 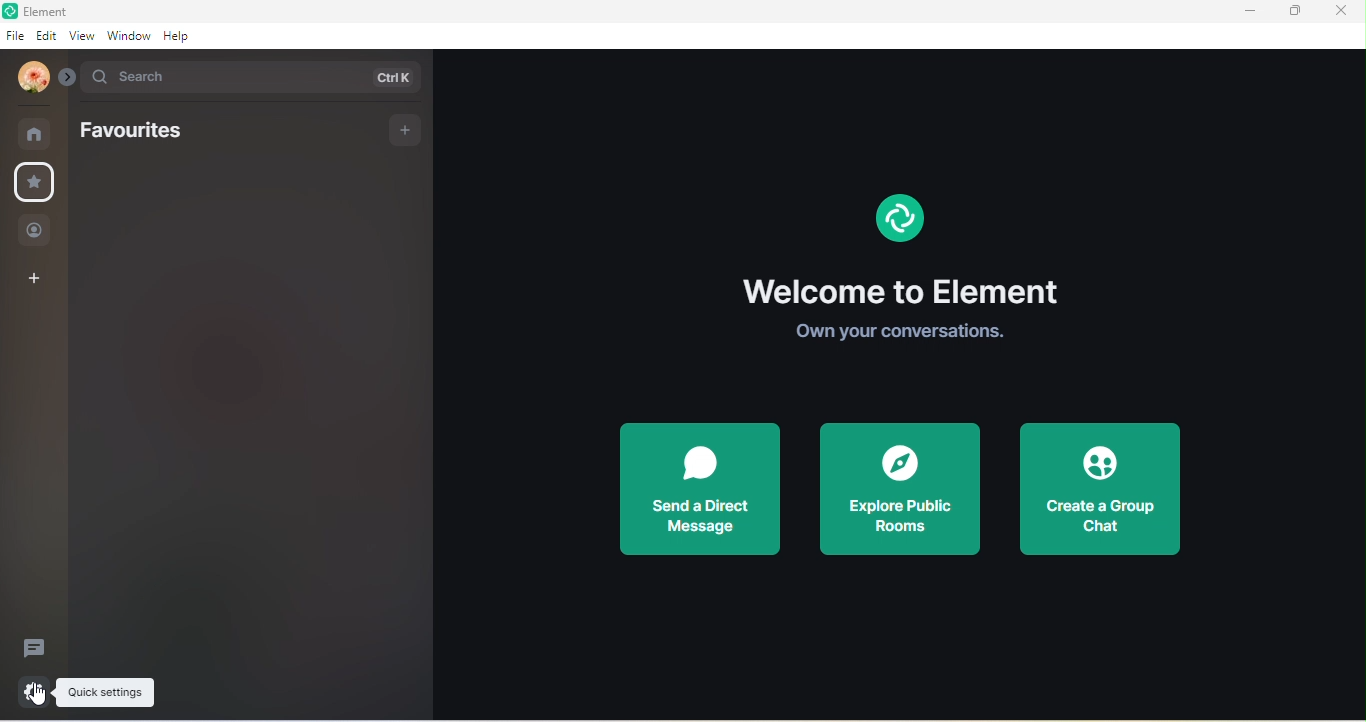 I want to click on edit, so click(x=47, y=36).